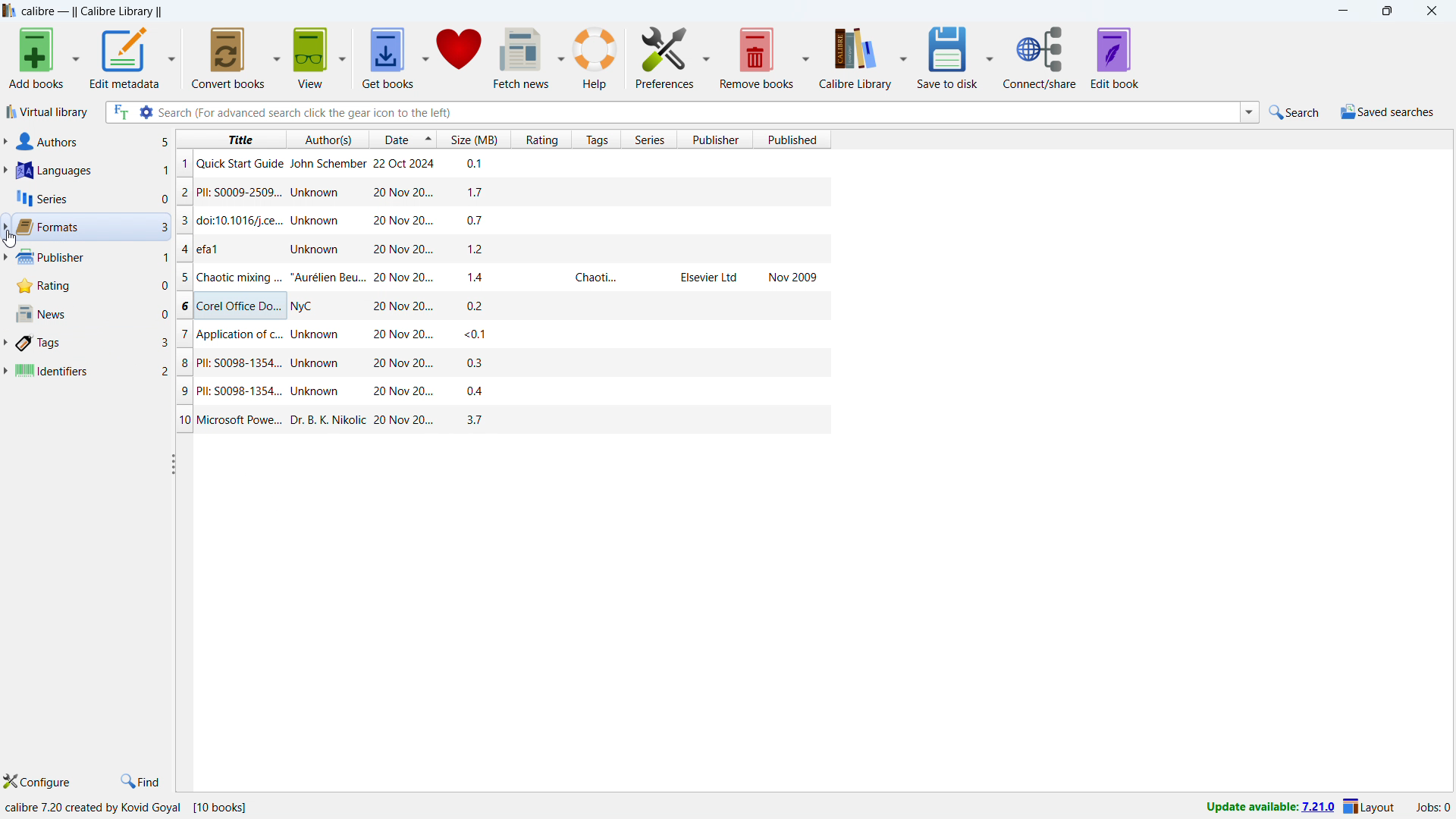 The width and height of the screenshot is (1456, 819). Describe the element at coordinates (714, 139) in the screenshot. I see `sort by publisher` at that location.